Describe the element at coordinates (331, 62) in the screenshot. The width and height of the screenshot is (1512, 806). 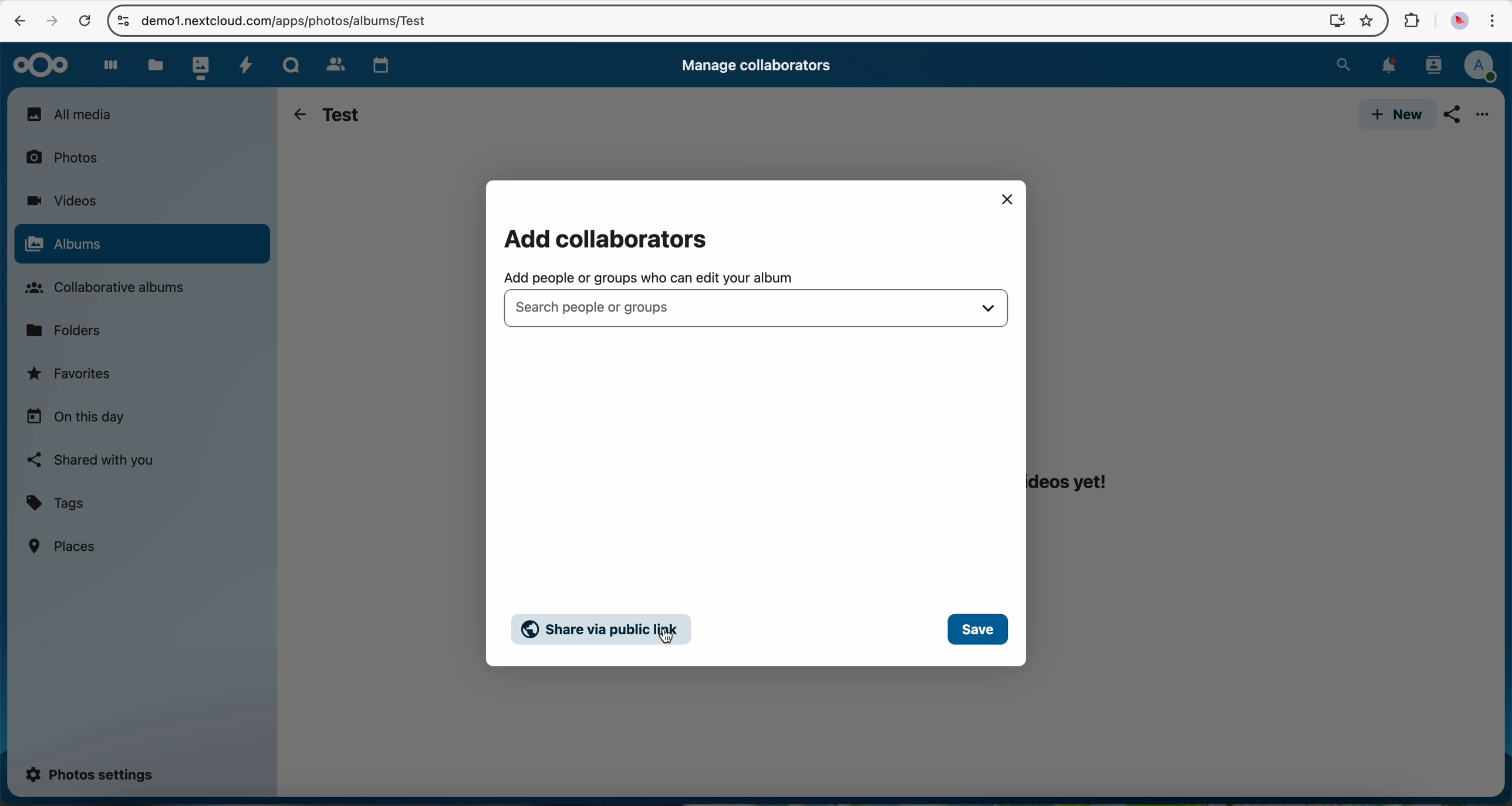
I see `contacts ` at that location.